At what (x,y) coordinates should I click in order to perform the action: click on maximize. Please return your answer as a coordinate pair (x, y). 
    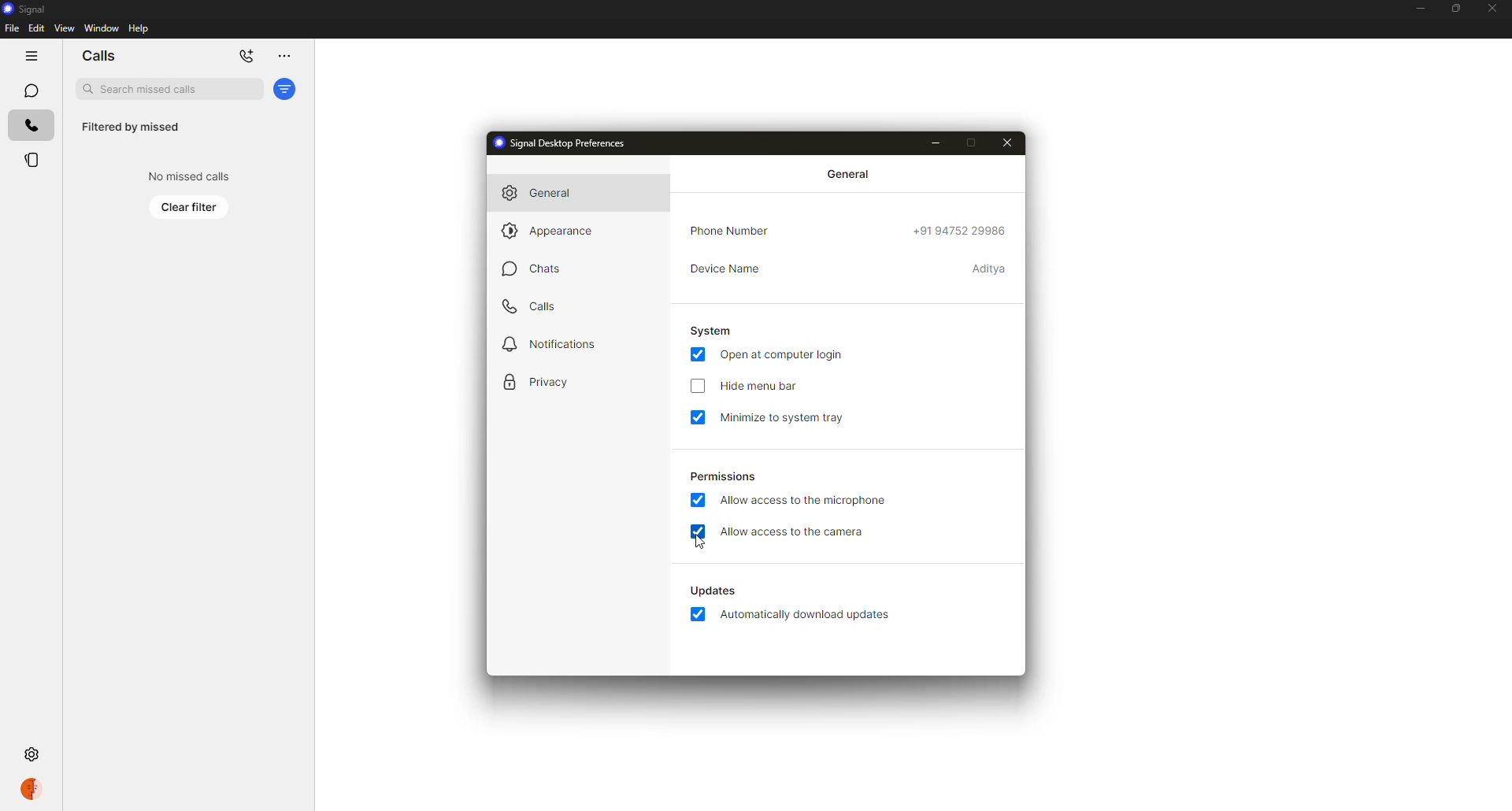
    Looking at the image, I should click on (1451, 8).